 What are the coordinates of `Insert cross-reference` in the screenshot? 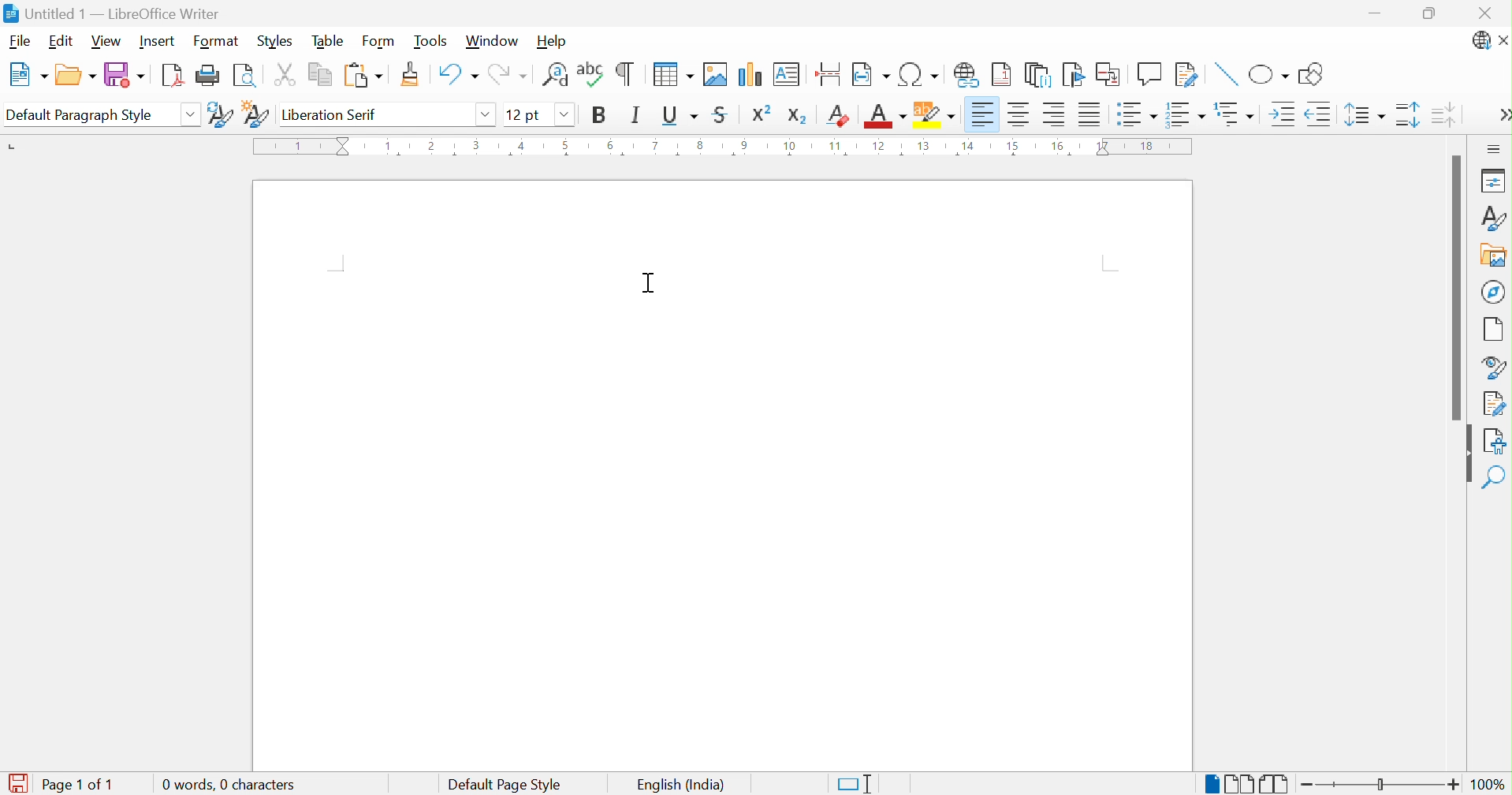 It's located at (1108, 76).